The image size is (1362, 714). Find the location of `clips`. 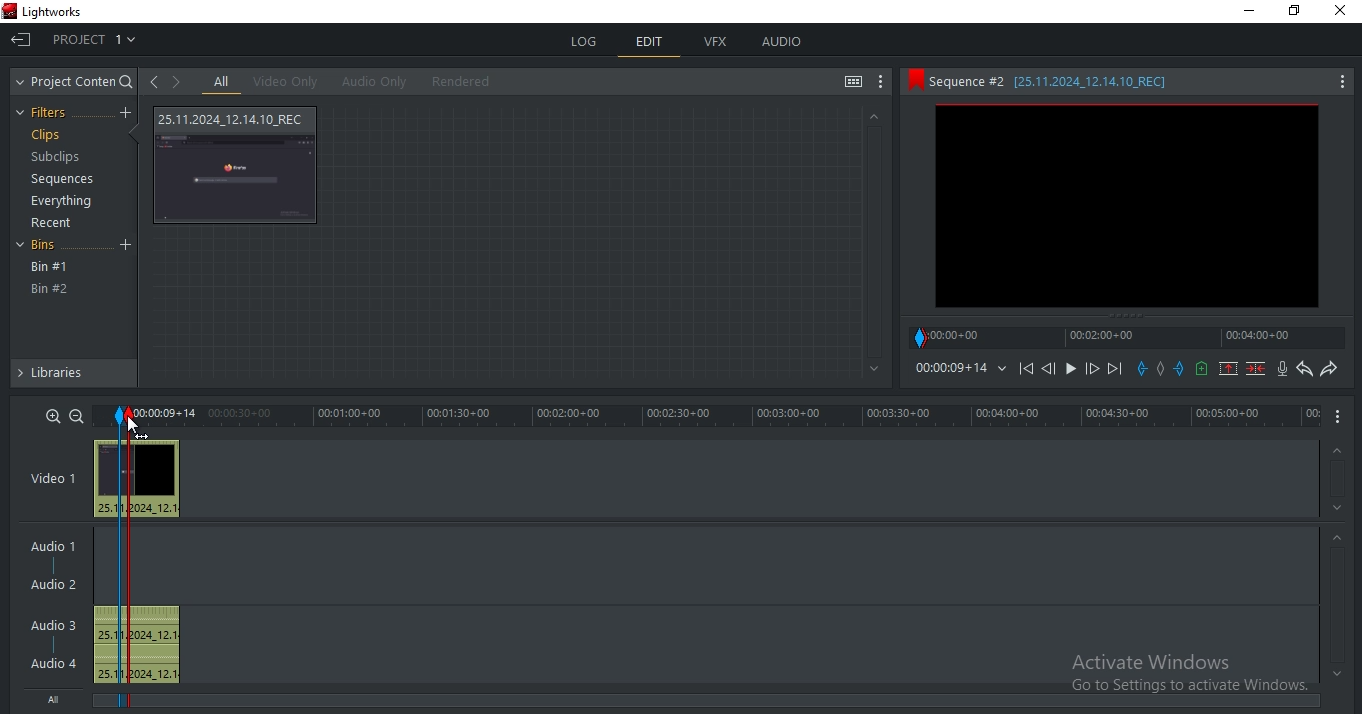

clips is located at coordinates (45, 135).